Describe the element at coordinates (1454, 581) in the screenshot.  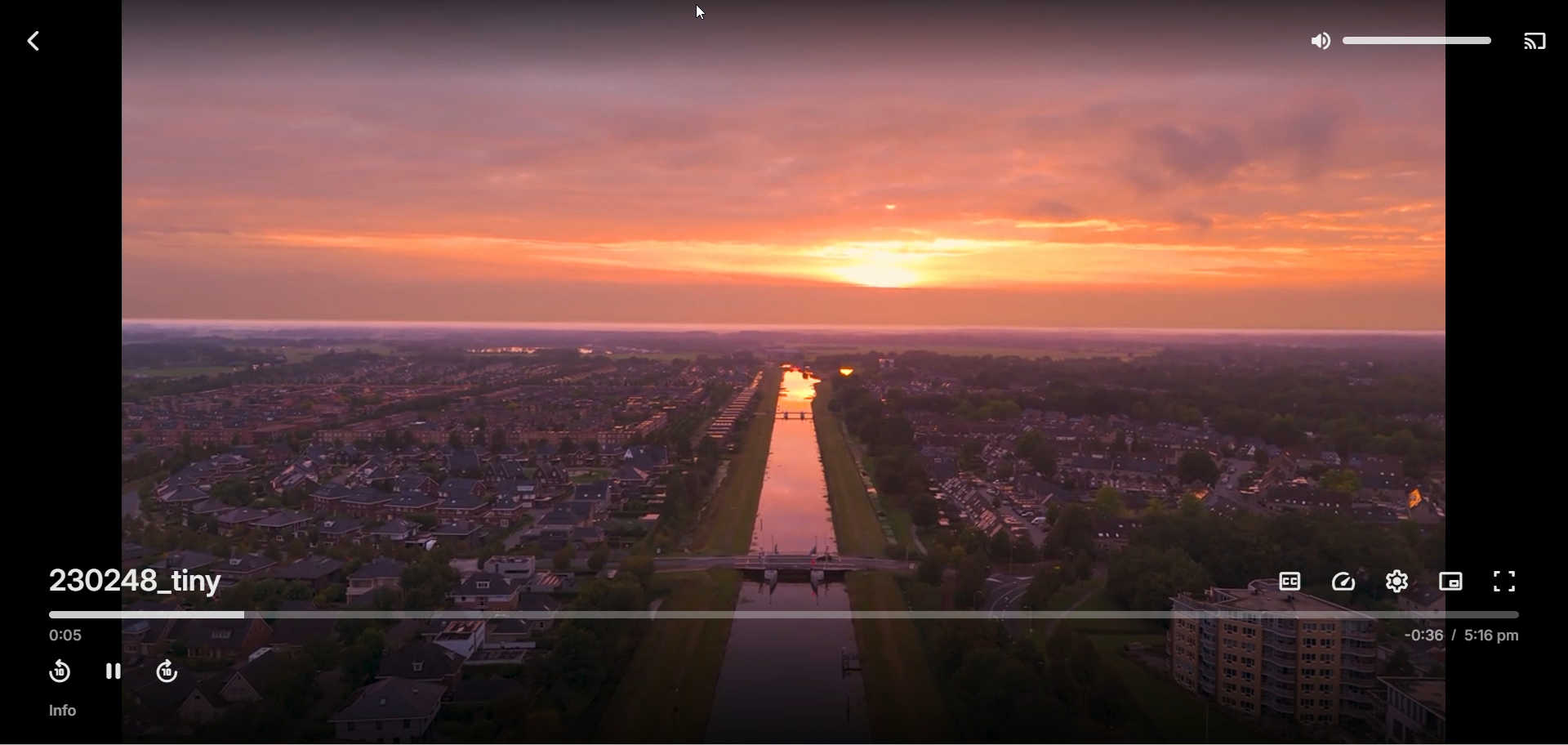
I see `picture in picture` at that location.